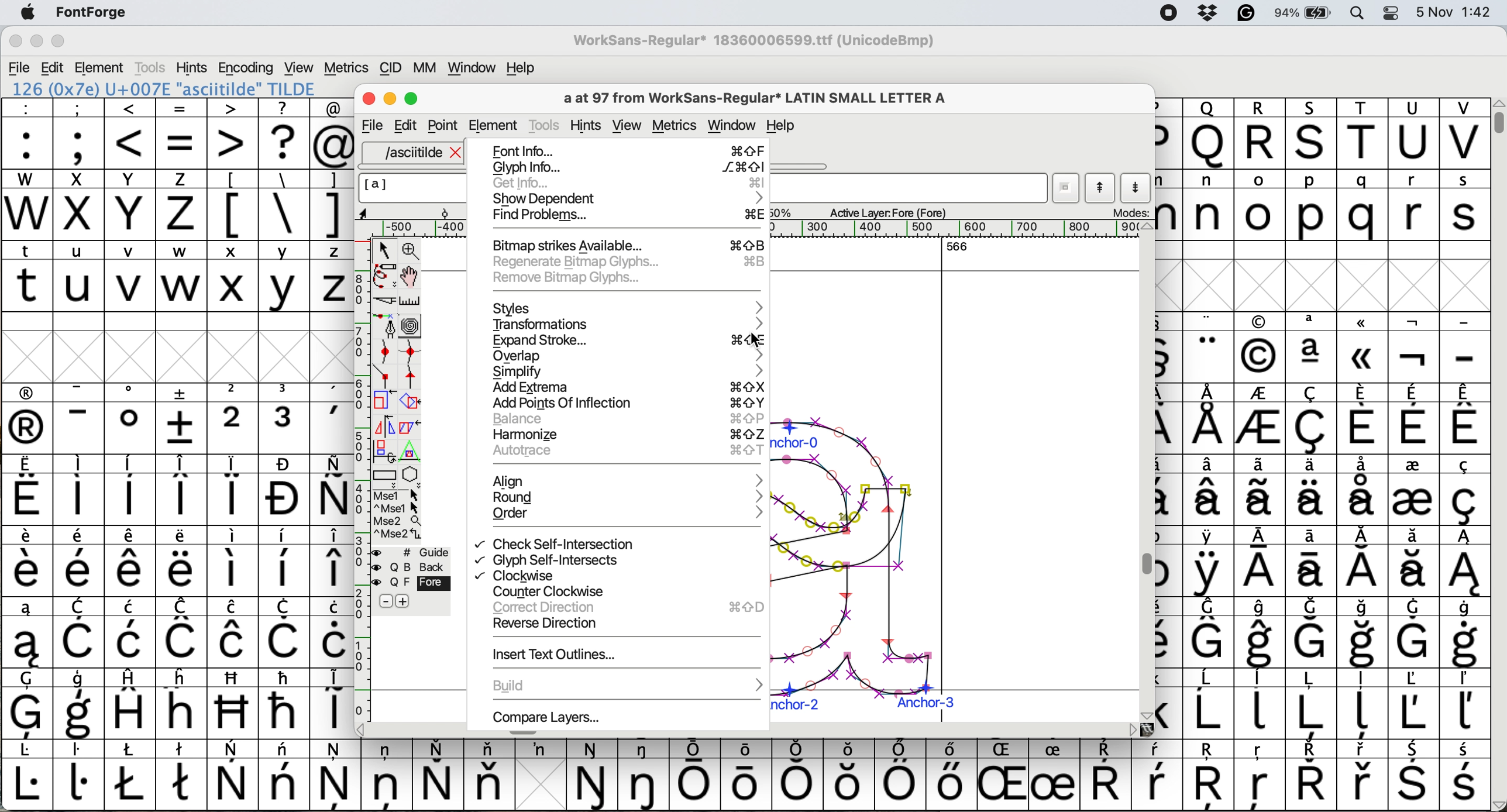 Image resolution: width=1507 pixels, height=812 pixels. I want to click on symbol, so click(1260, 563).